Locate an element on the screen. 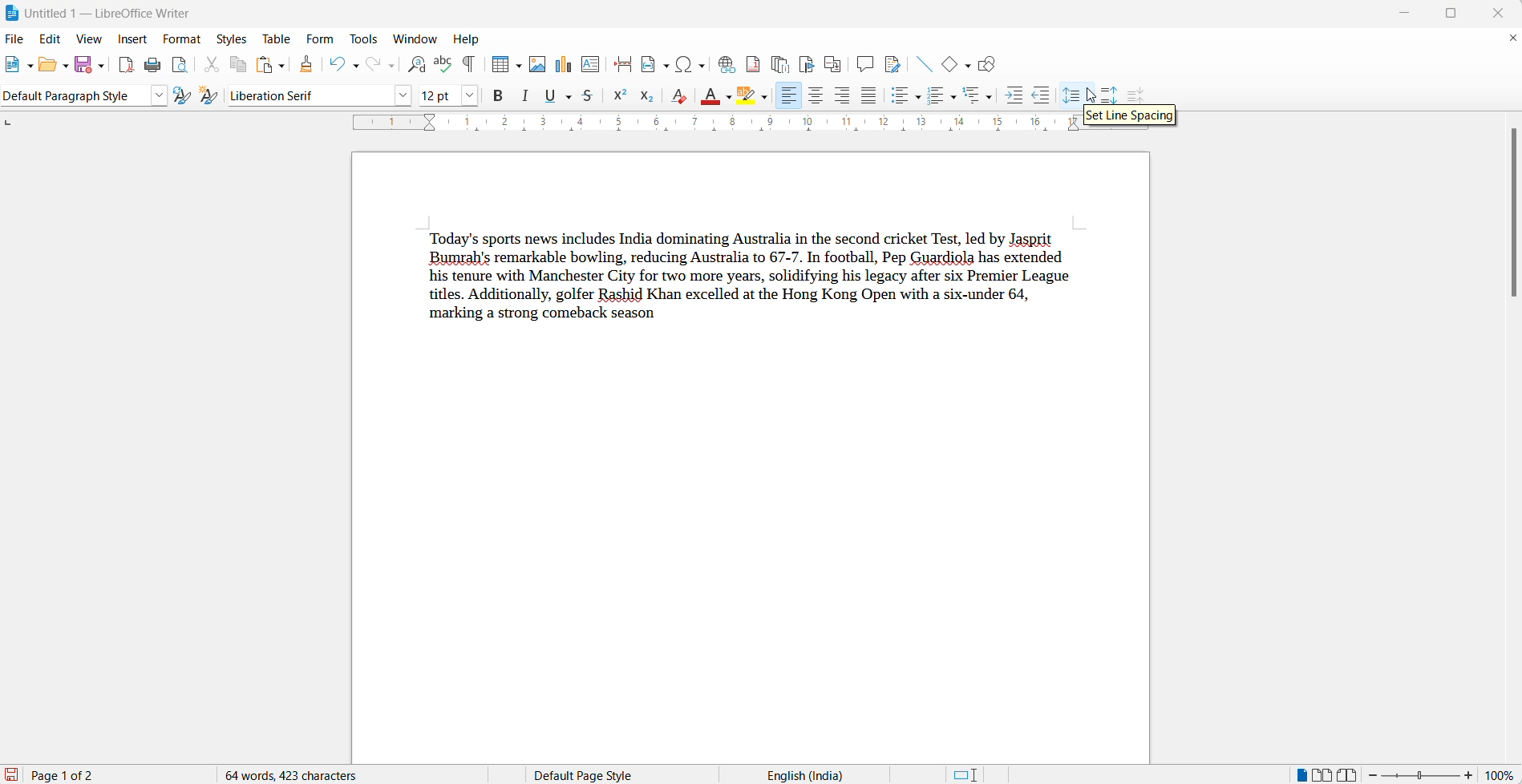 The image size is (1522, 784). strike through is located at coordinates (589, 95).